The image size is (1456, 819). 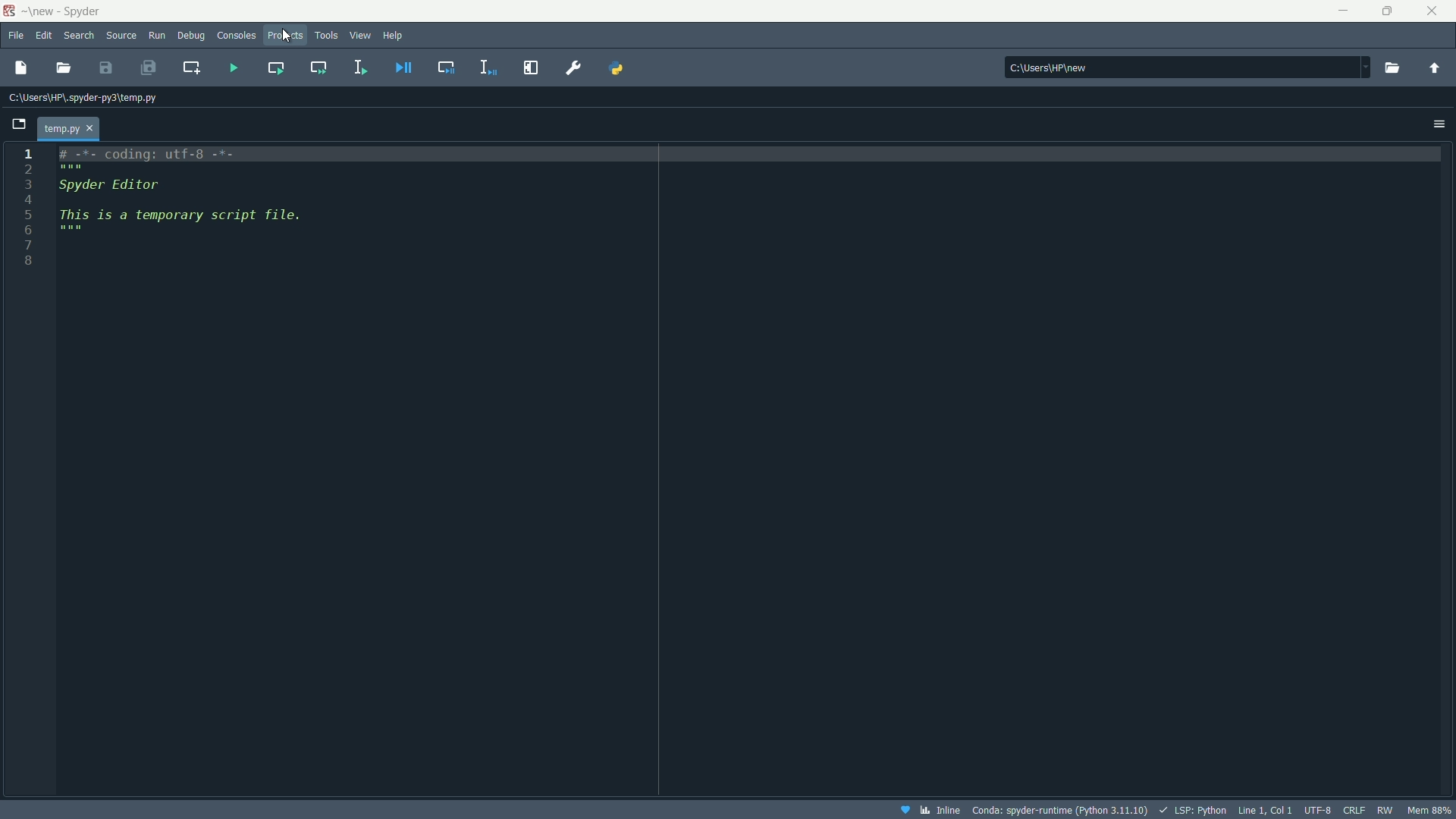 I want to click on Help menu, so click(x=394, y=35).